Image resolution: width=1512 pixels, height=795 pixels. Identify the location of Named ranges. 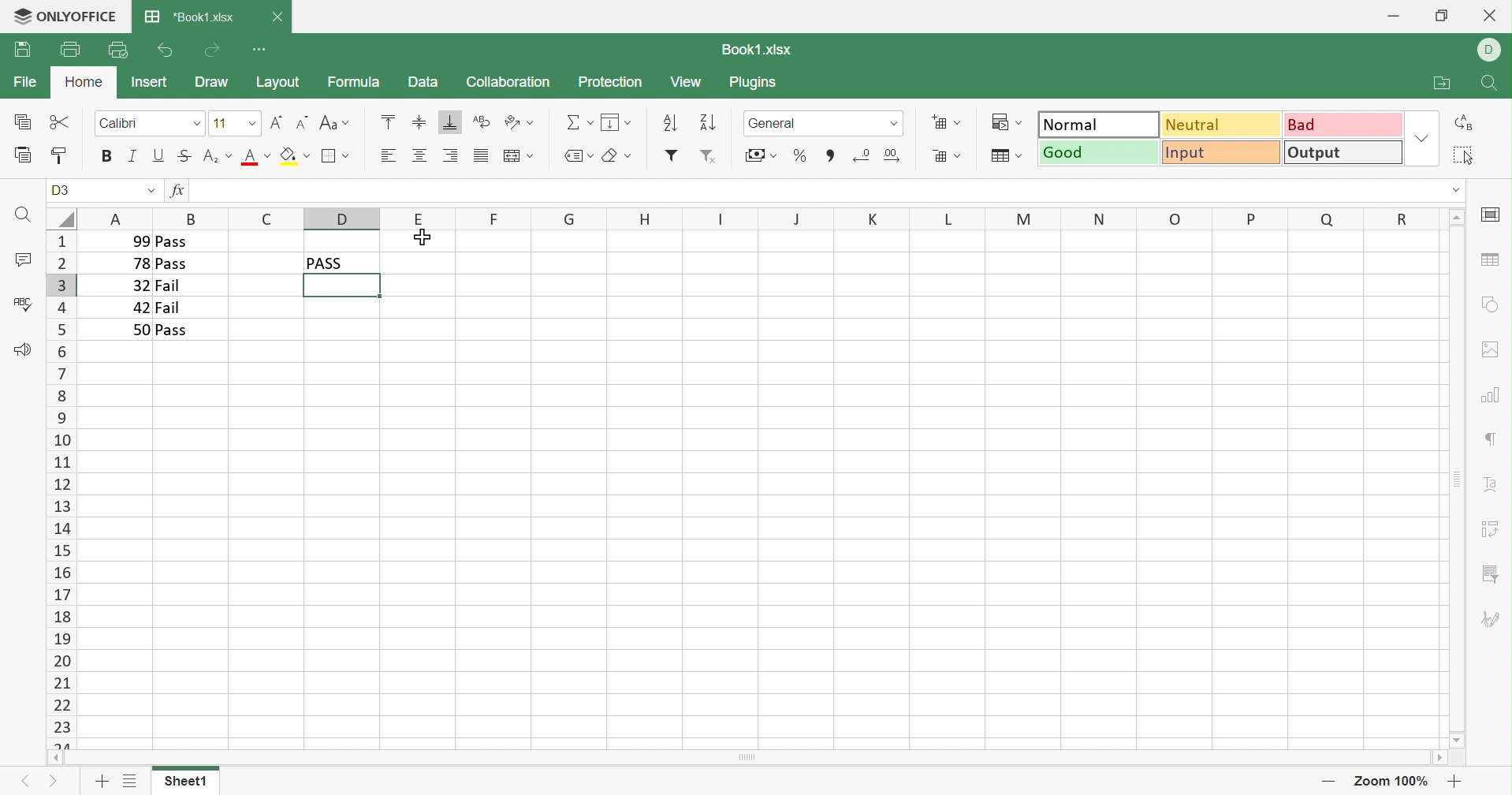
(576, 155).